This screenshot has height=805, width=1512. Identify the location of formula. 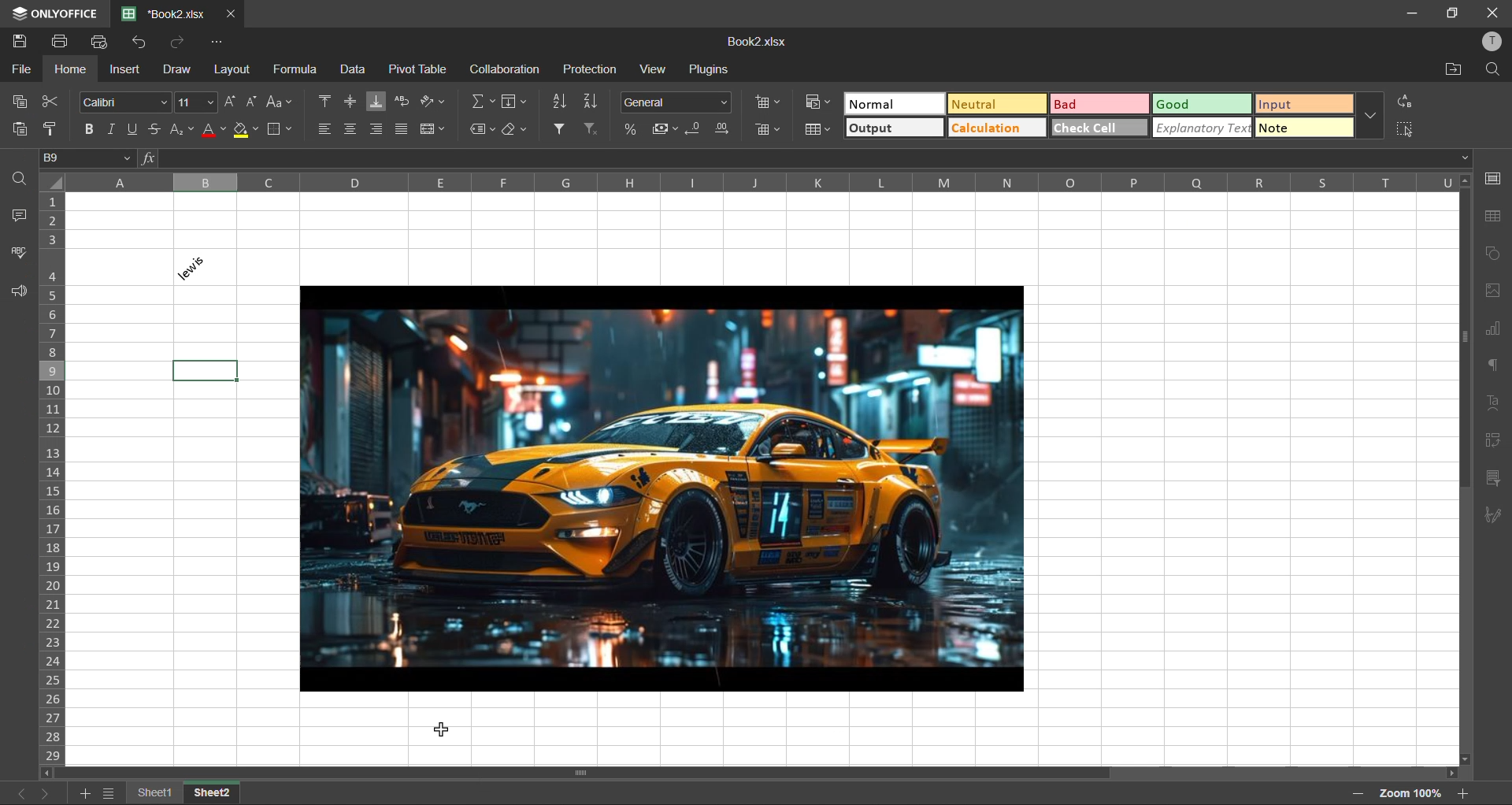
(297, 69).